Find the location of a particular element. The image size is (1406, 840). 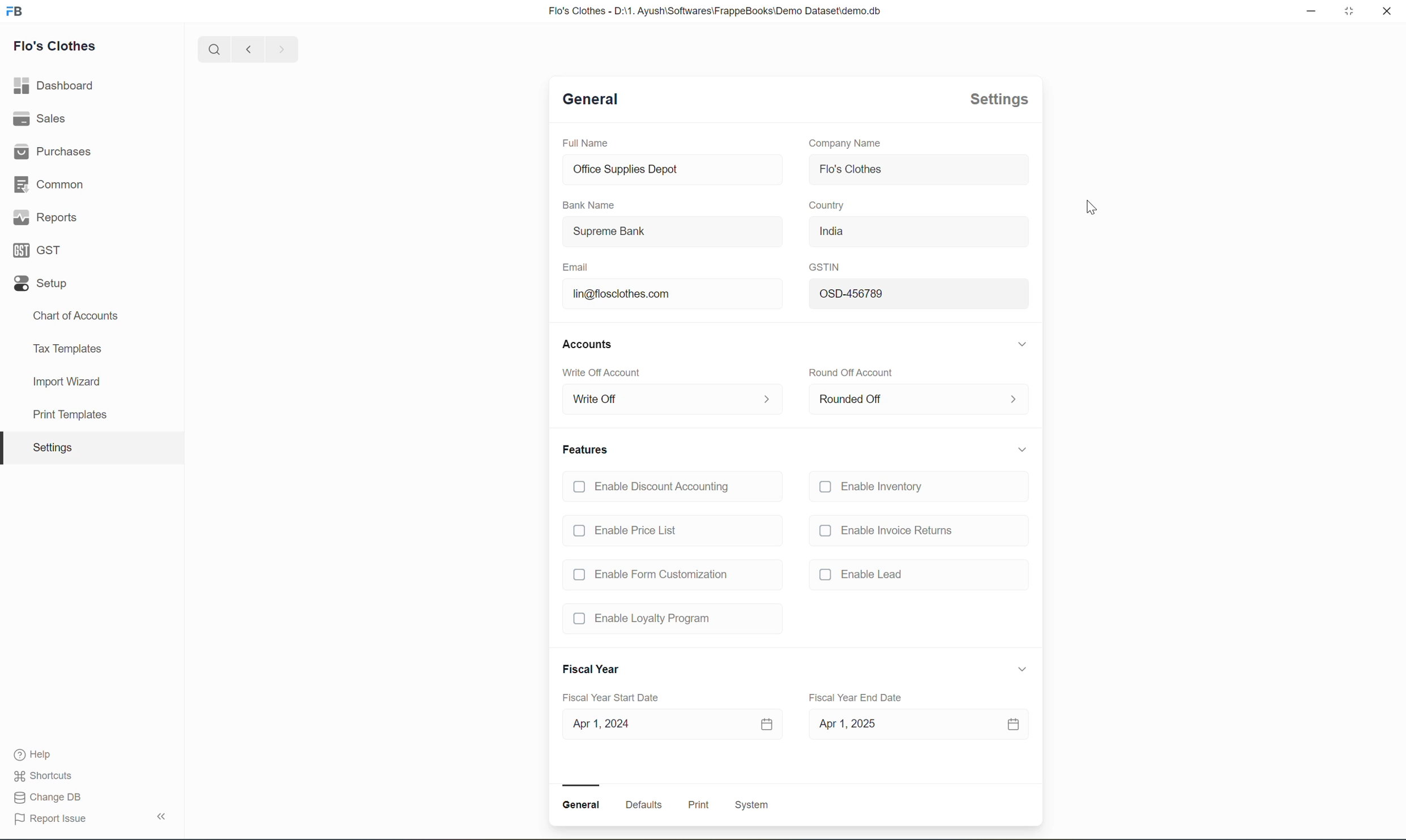

Accounts is located at coordinates (588, 346).